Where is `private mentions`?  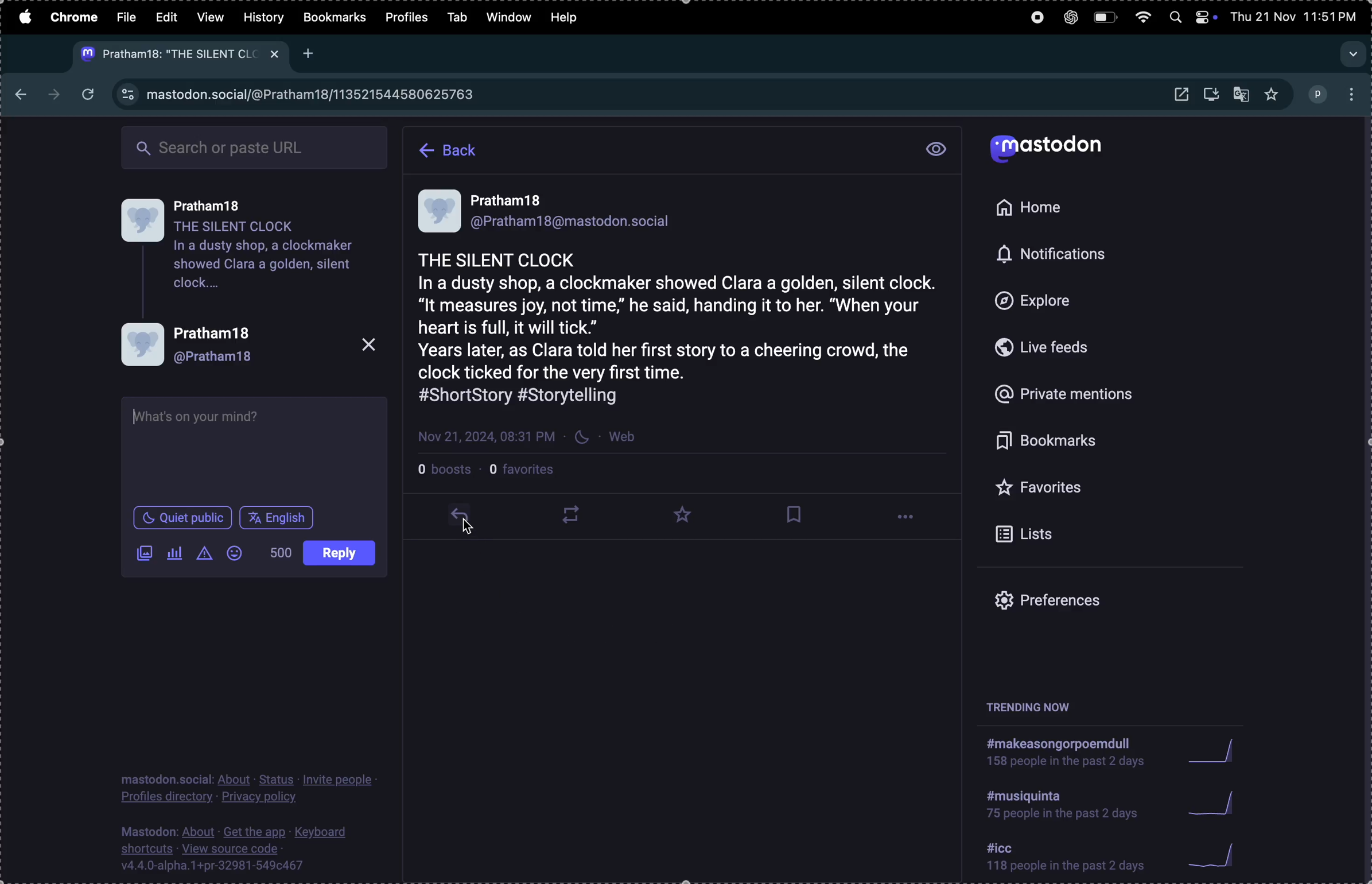 private mentions is located at coordinates (1080, 397).